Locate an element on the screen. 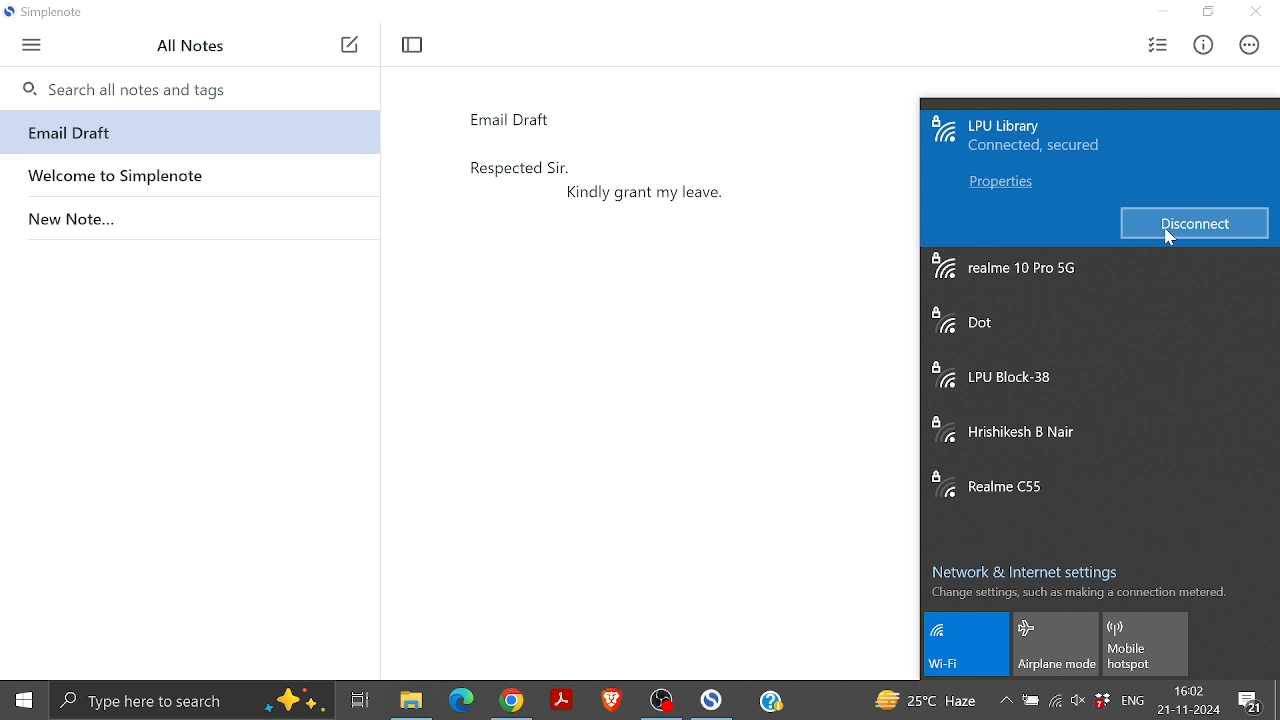 This screenshot has height=720, width=1280. disconenct from the current network is located at coordinates (1194, 222).